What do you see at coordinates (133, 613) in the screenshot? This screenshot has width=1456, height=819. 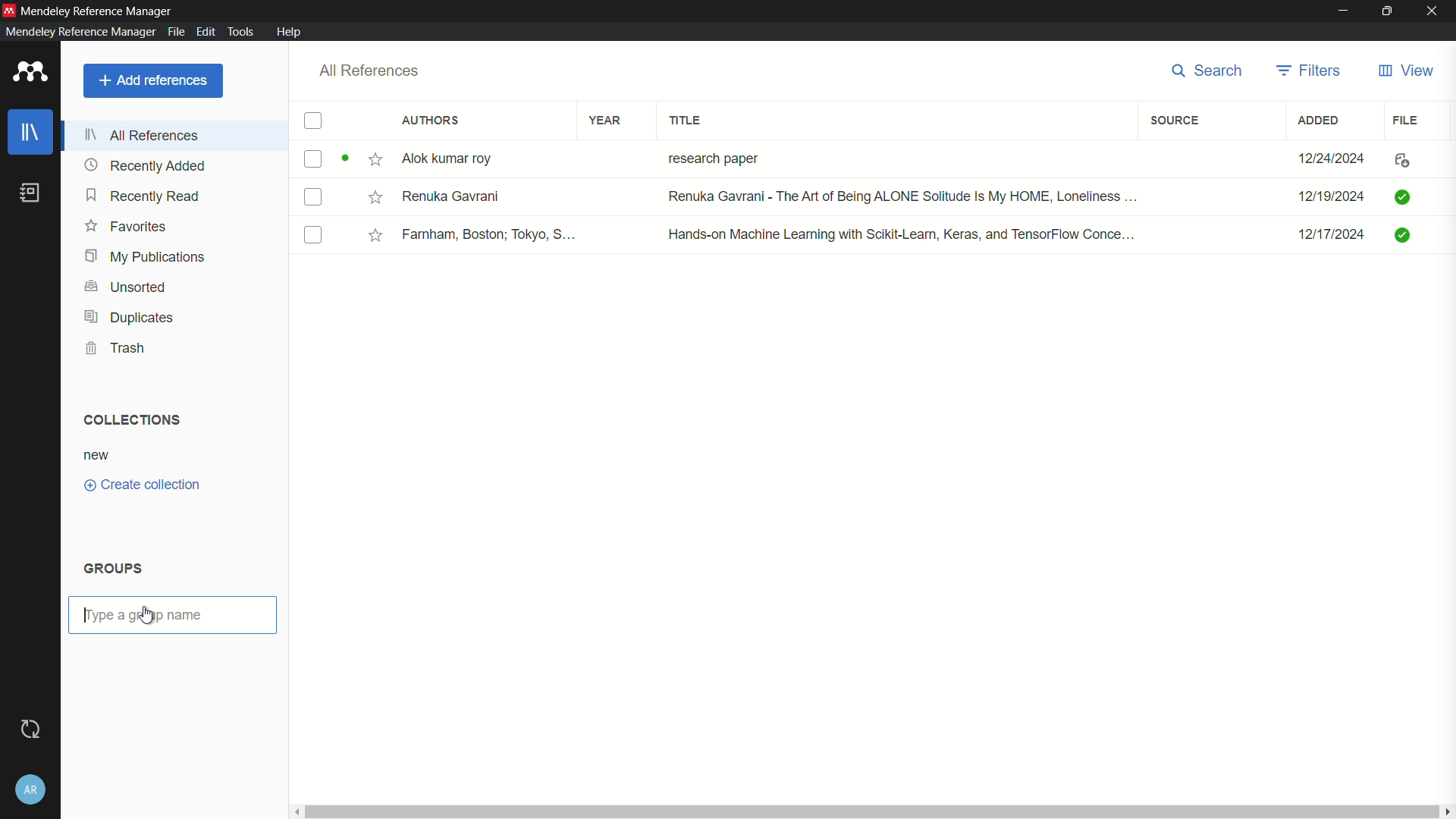 I see `create group` at bounding box center [133, 613].